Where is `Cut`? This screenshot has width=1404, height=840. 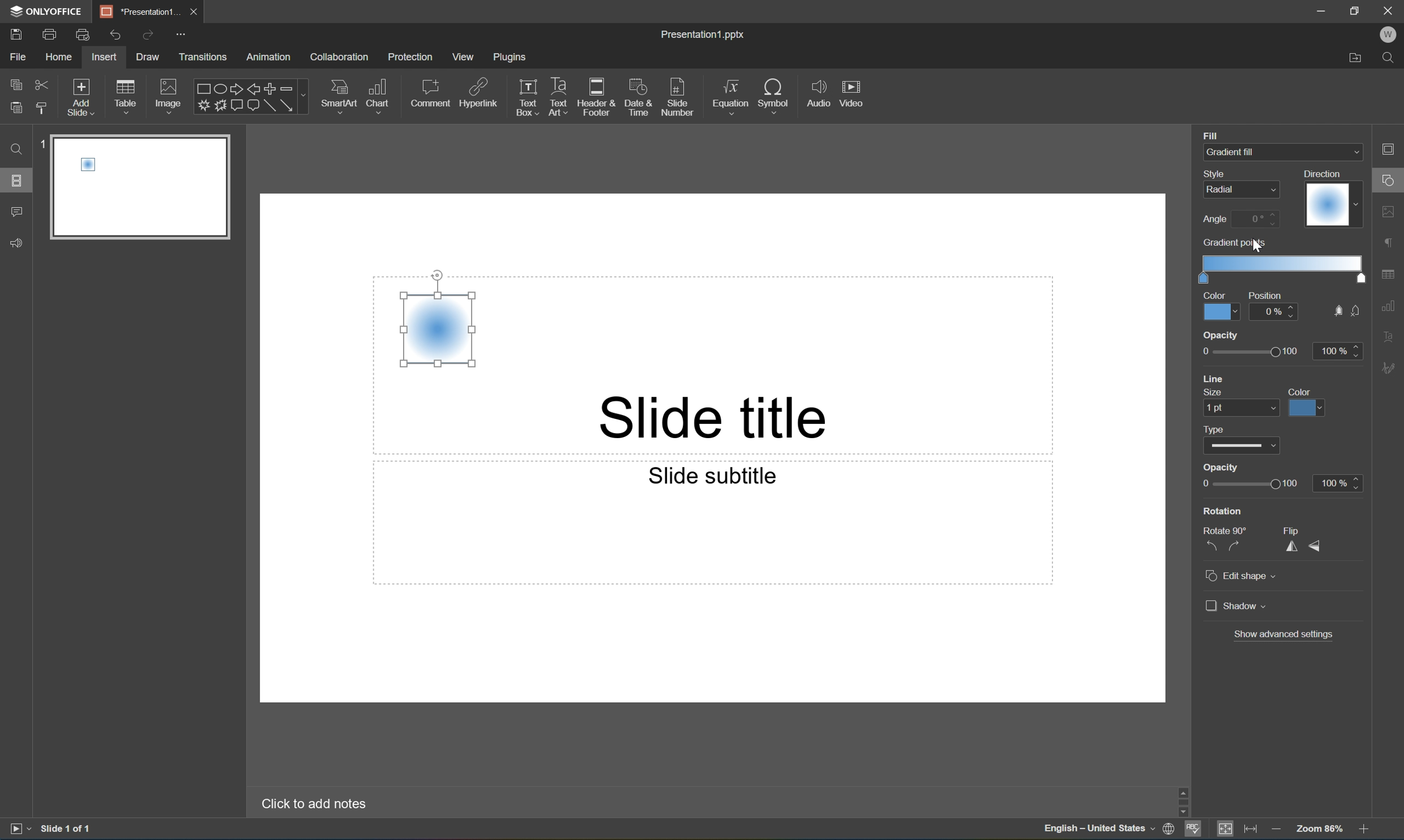 Cut is located at coordinates (42, 84).